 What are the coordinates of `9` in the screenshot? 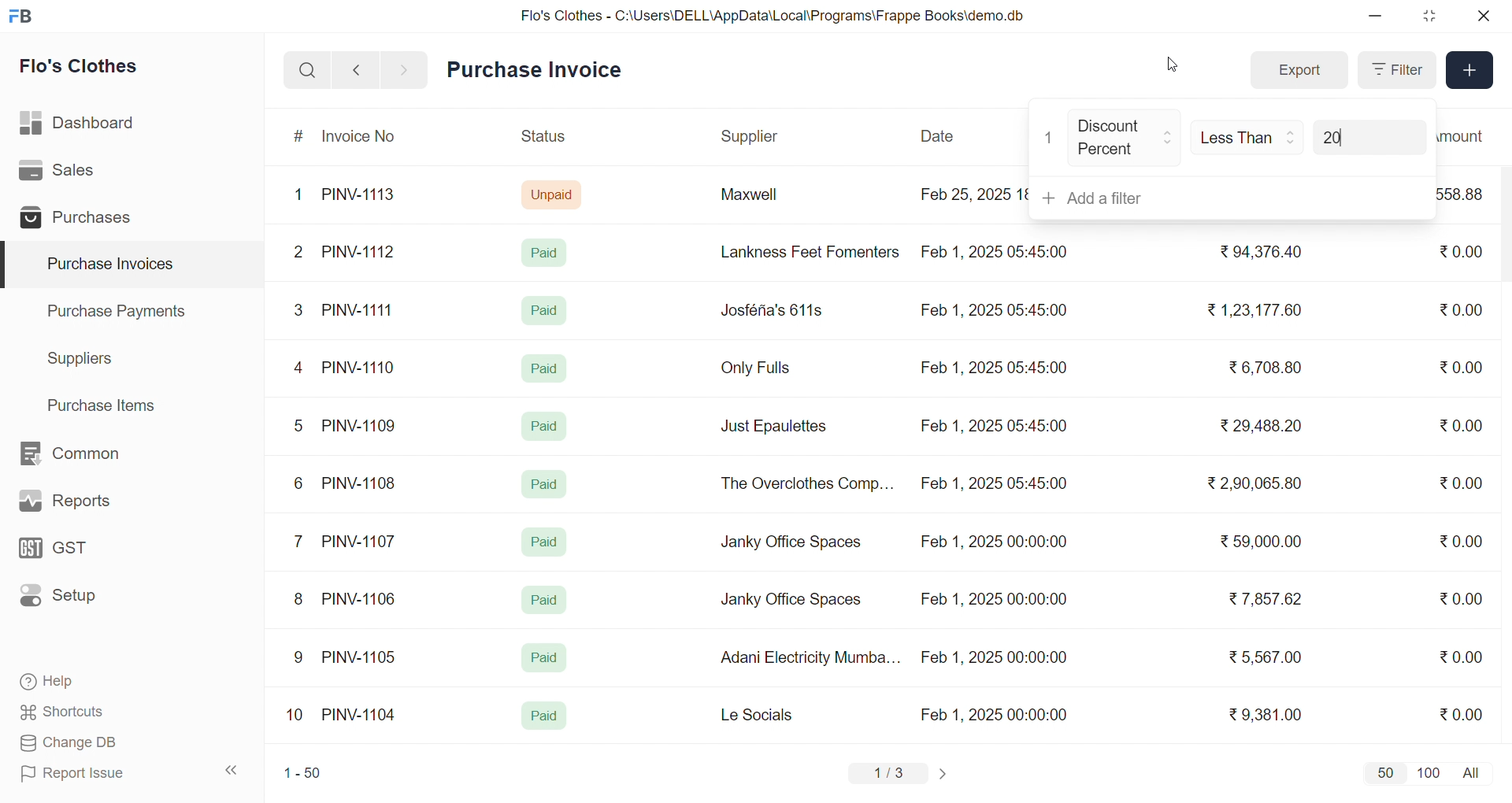 It's located at (299, 657).